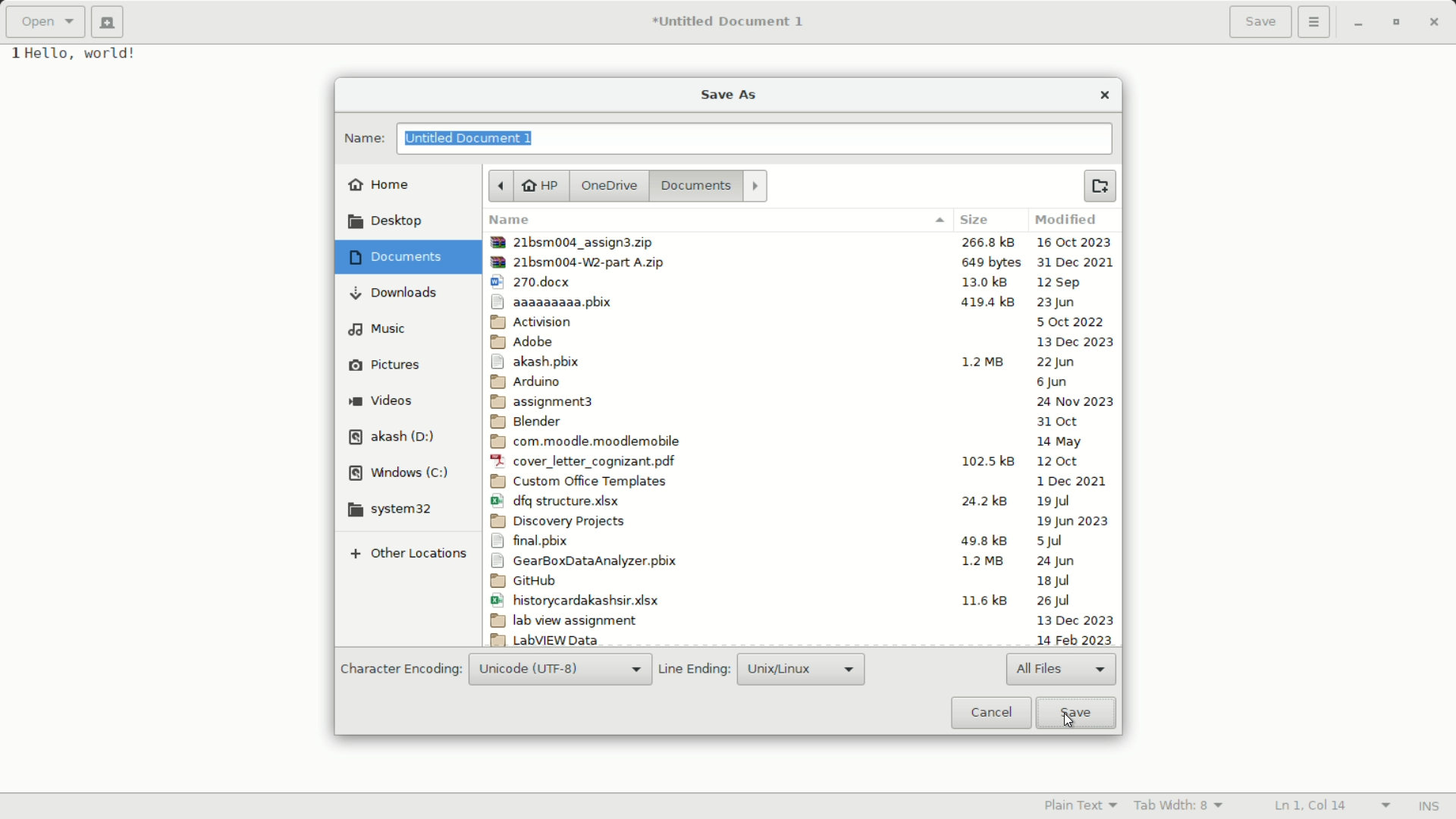  What do you see at coordinates (804, 262) in the screenshot?
I see `File` at bounding box center [804, 262].